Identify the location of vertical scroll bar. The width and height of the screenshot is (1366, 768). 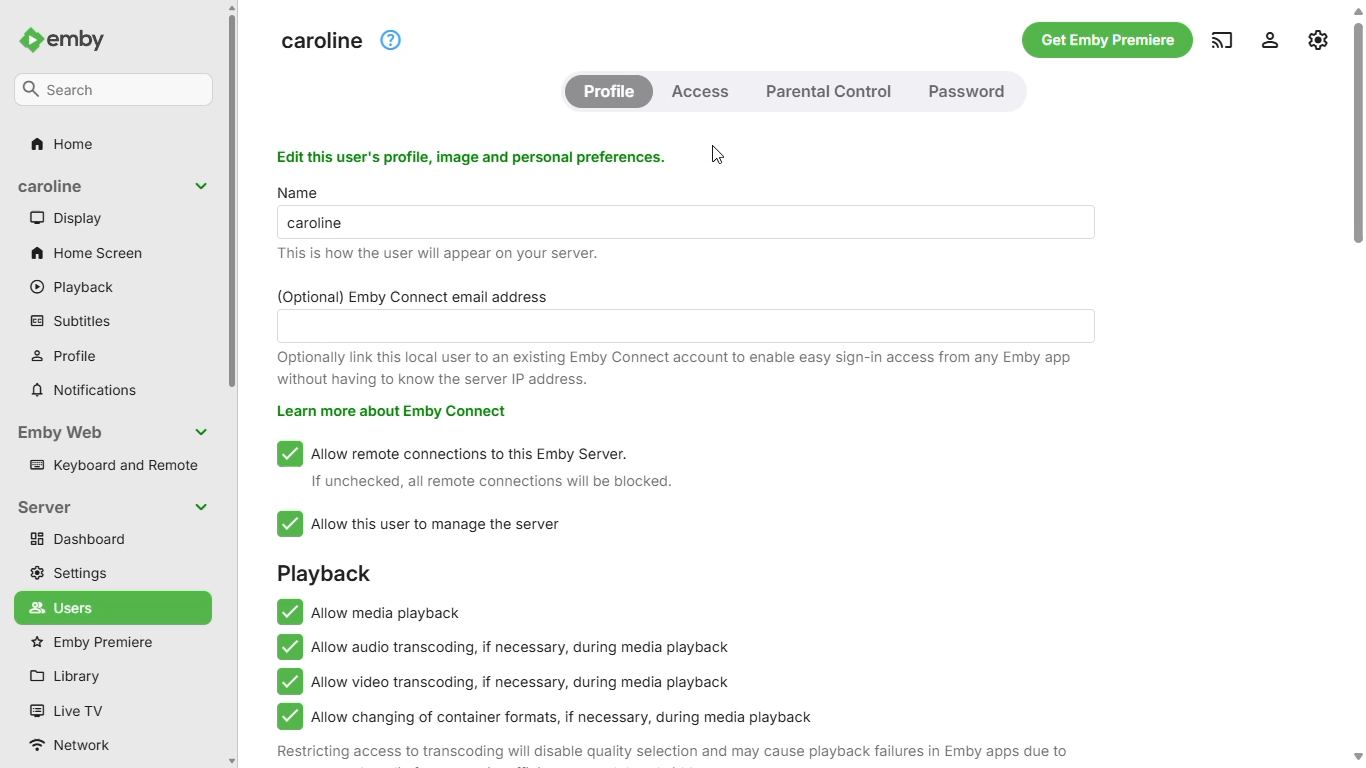
(1357, 383).